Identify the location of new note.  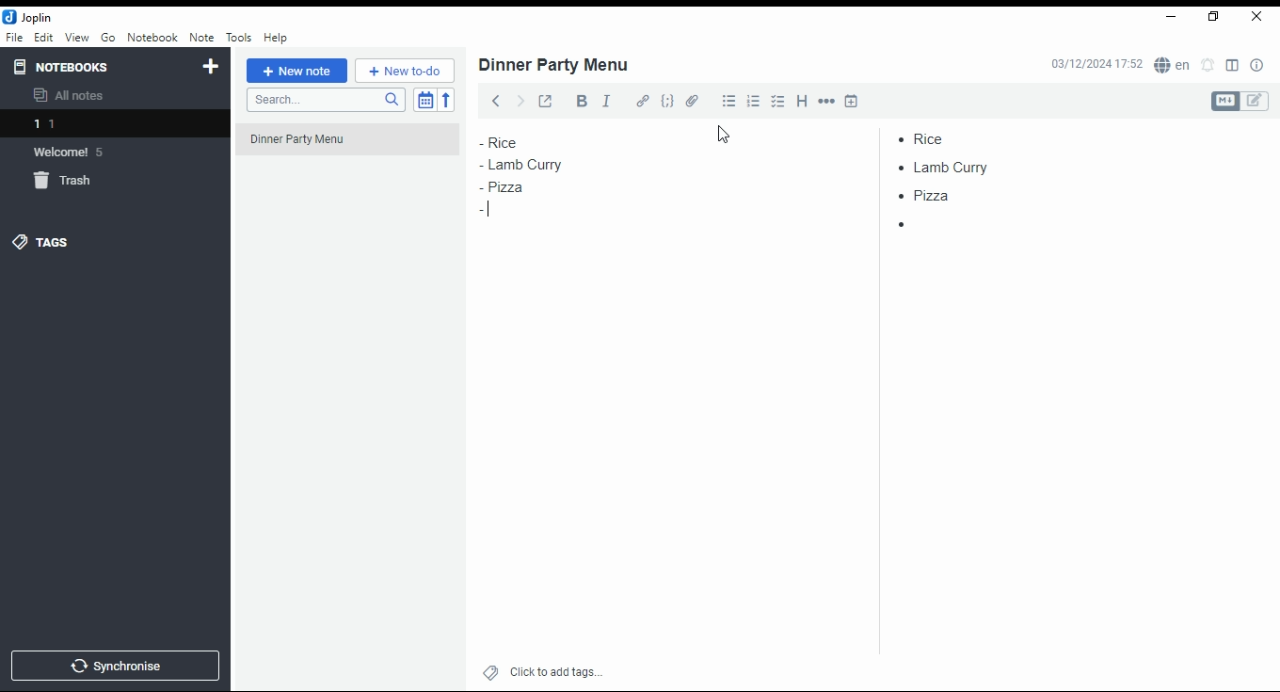
(296, 71).